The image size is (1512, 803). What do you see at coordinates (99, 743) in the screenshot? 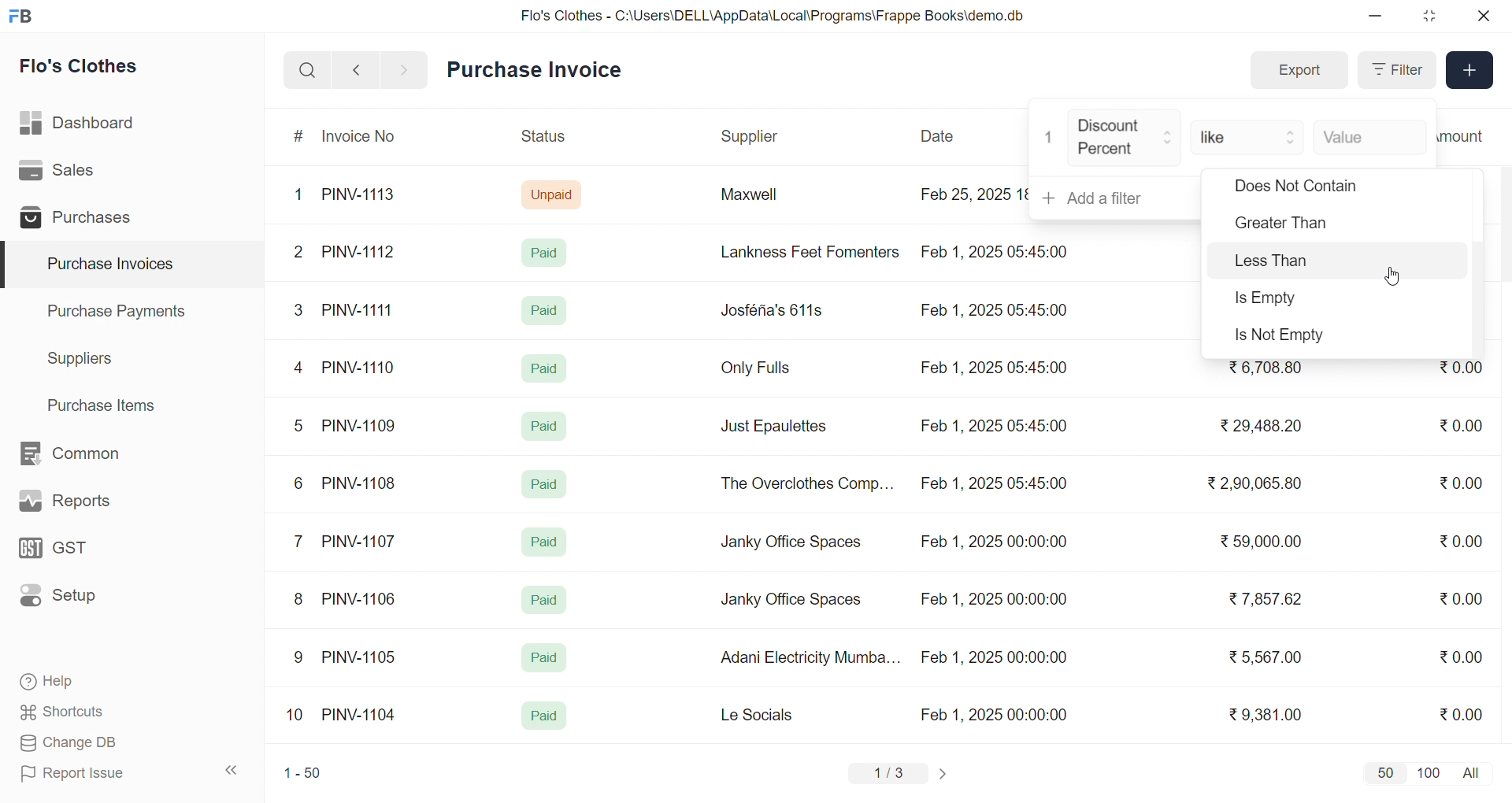
I see `Change DB` at bounding box center [99, 743].